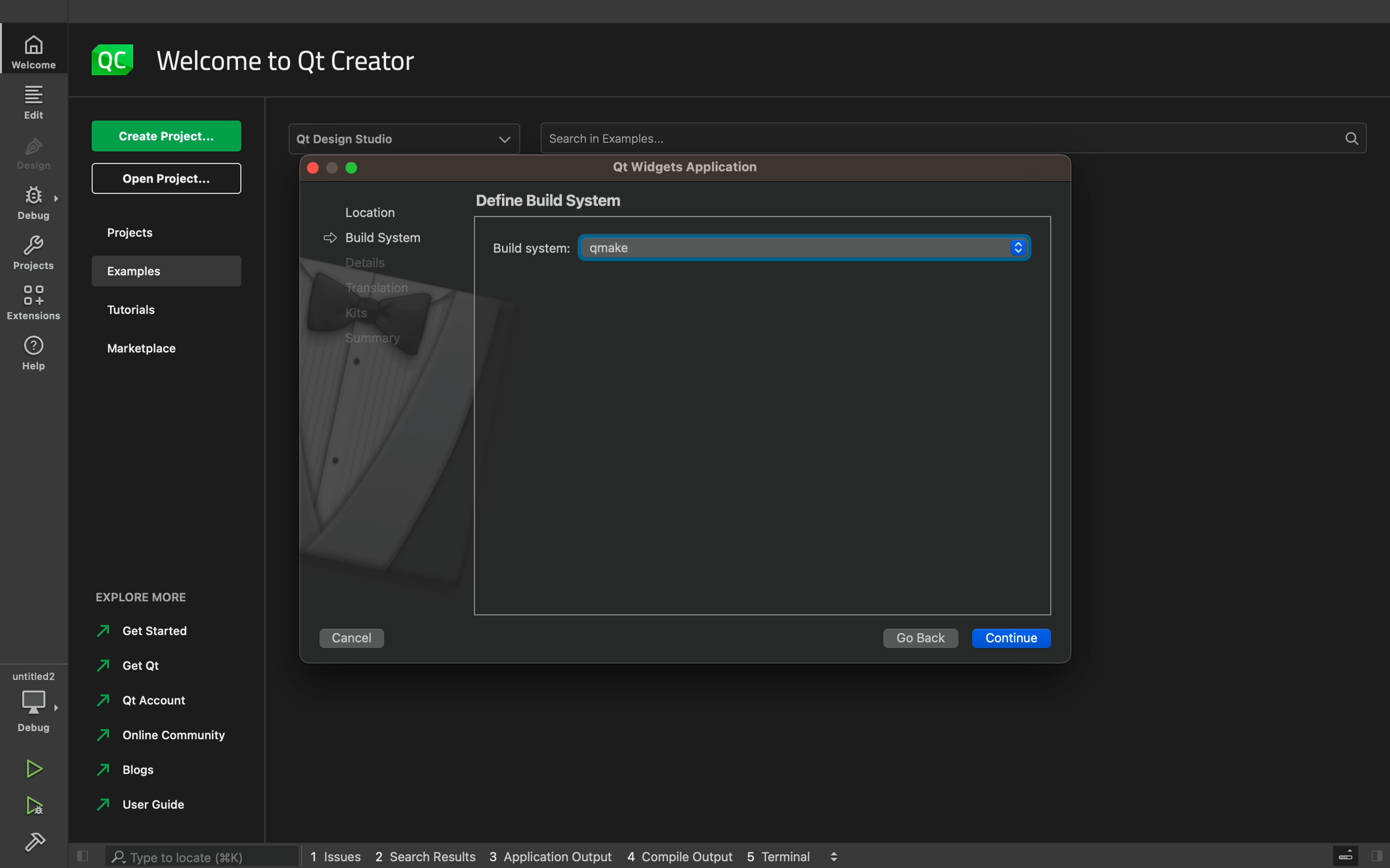  Describe the element at coordinates (167, 179) in the screenshot. I see `open` at that location.